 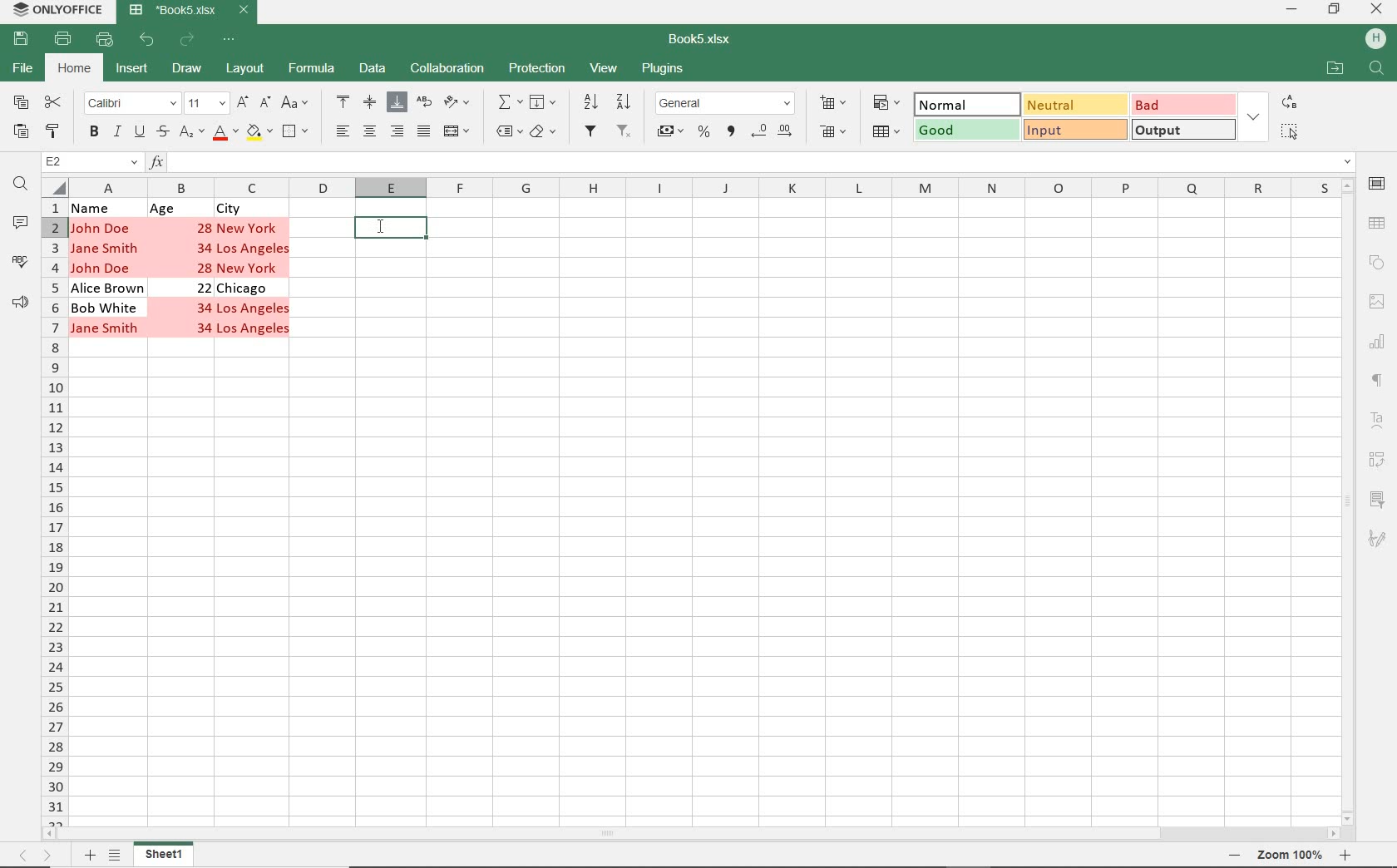 What do you see at coordinates (296, 104) in the screenshot?
I see `CHANGE CASE` at bounding box center [296, 104].